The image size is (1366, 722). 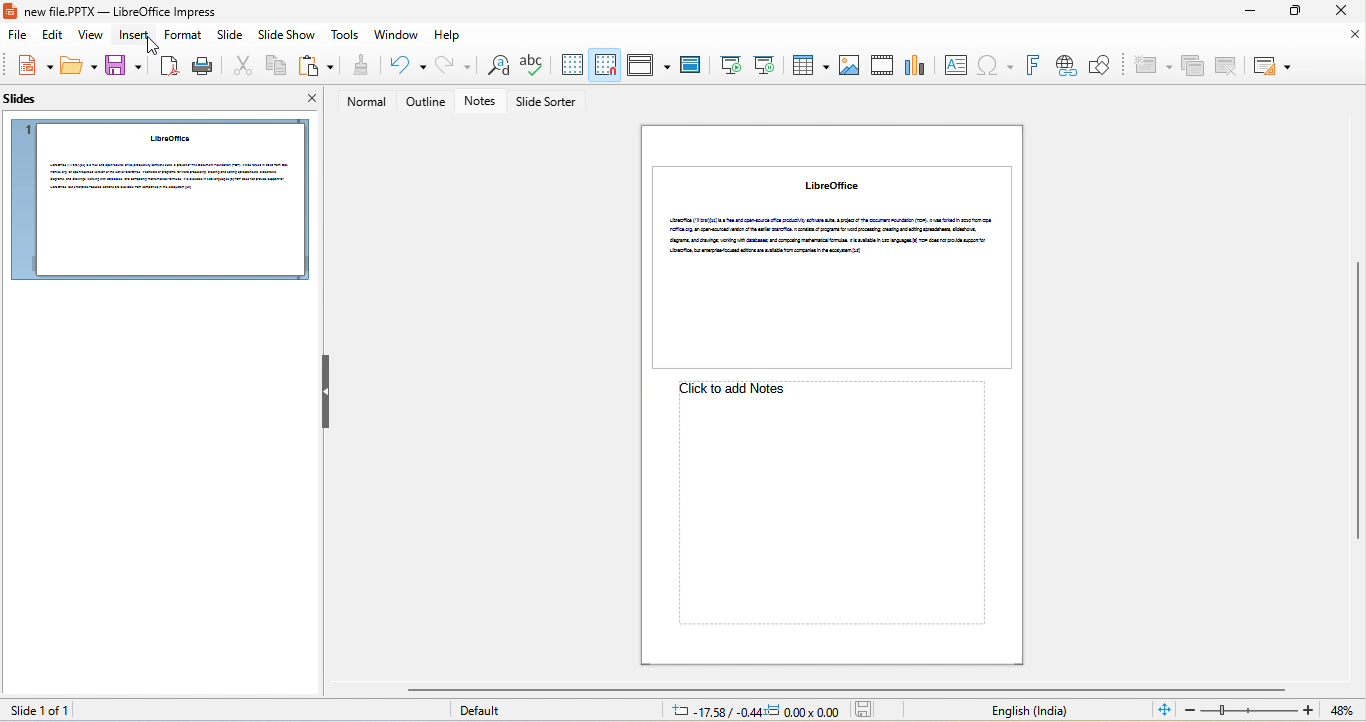 I want to click on help, so click(x=449, y=36).